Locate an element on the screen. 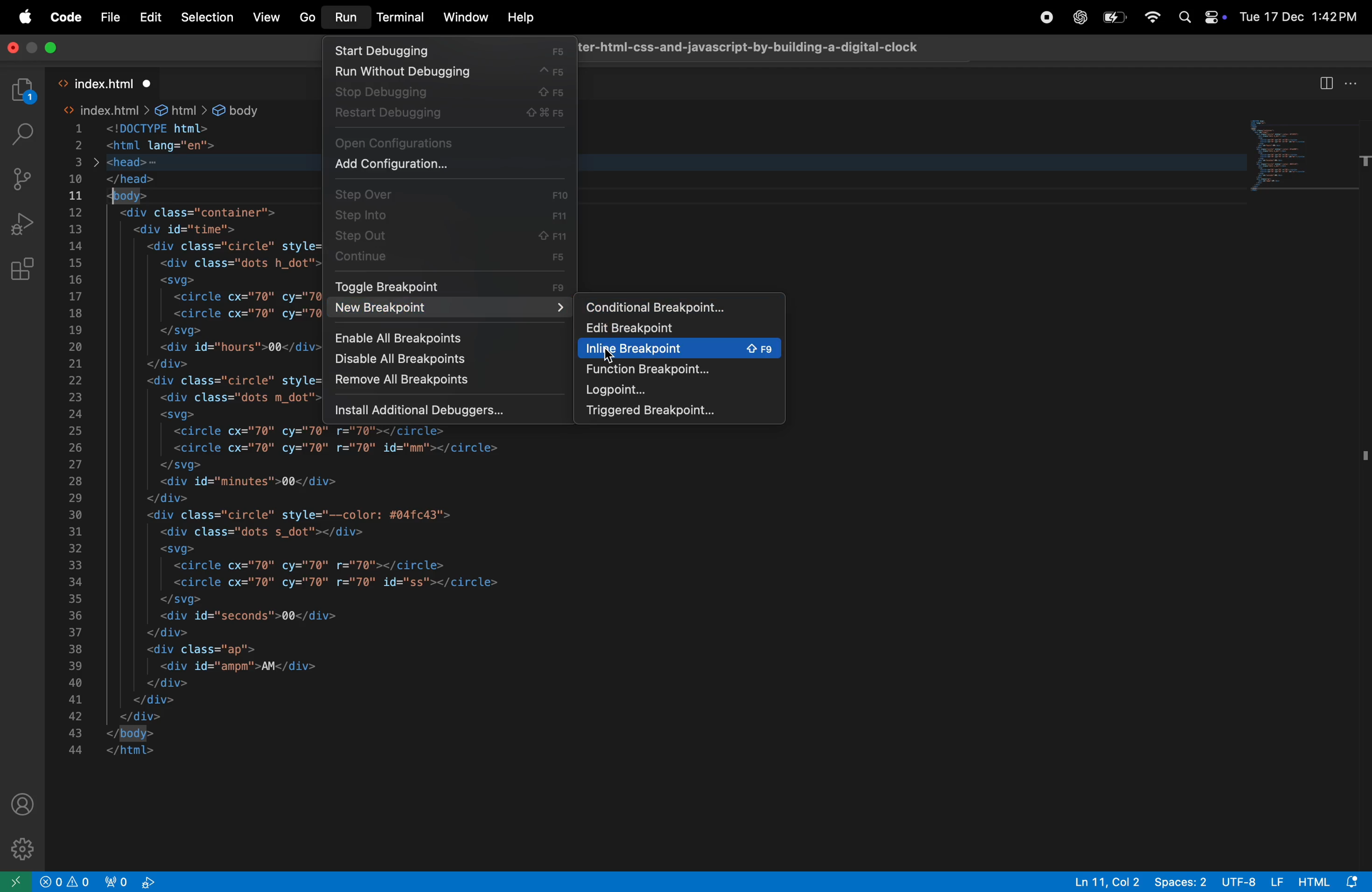  open configuration is located at coordinates (450, 142).